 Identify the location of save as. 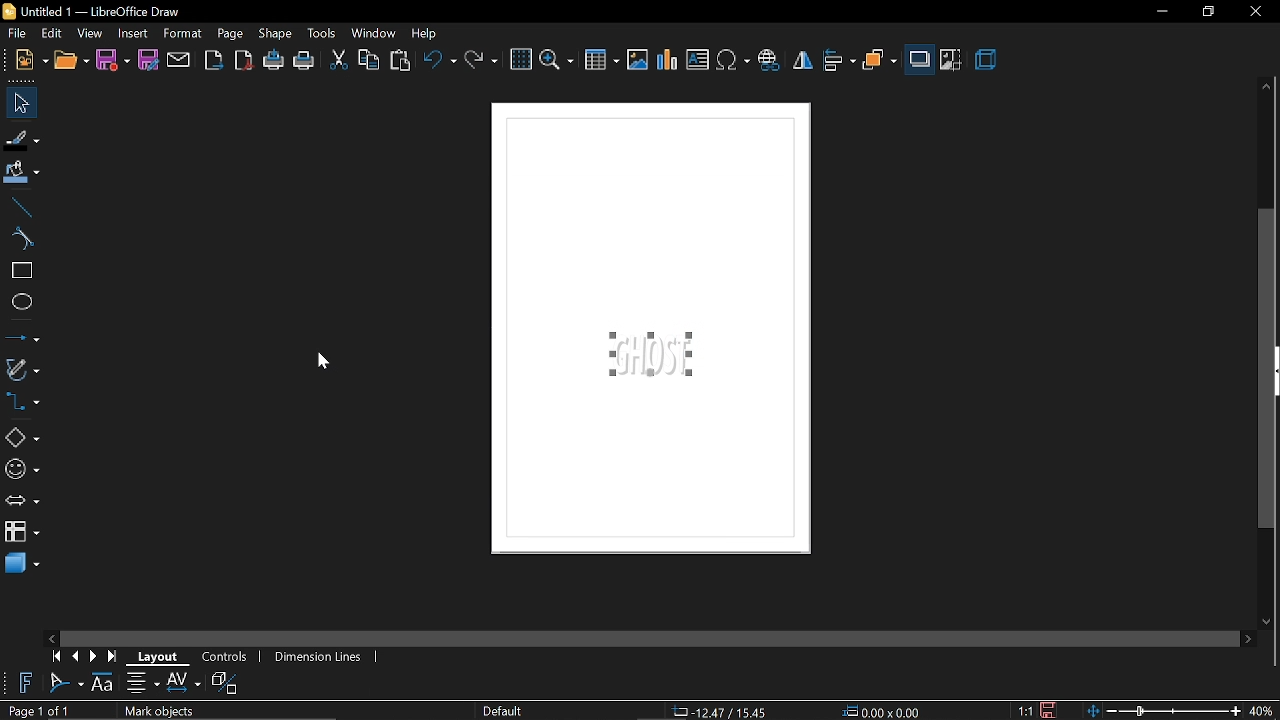
(149, 60).